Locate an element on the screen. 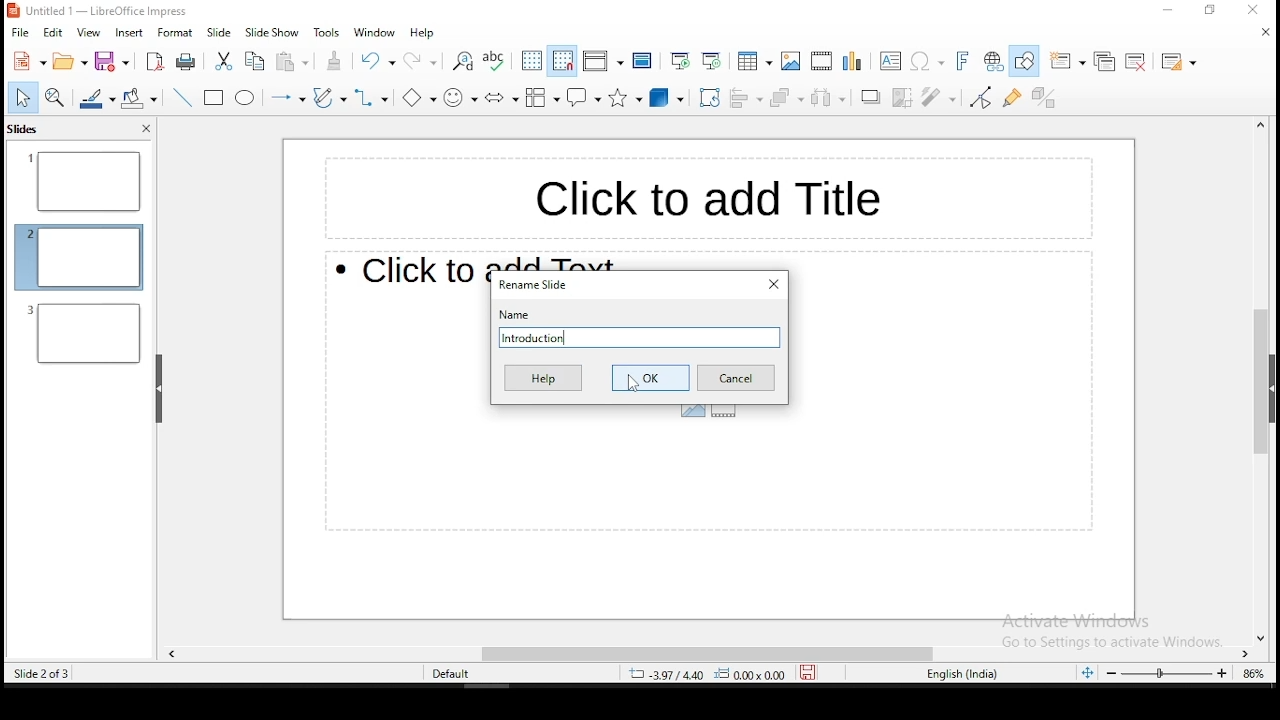 This screenshot has width=1280, height=720. english (india) is located at coordinates (963, 674).